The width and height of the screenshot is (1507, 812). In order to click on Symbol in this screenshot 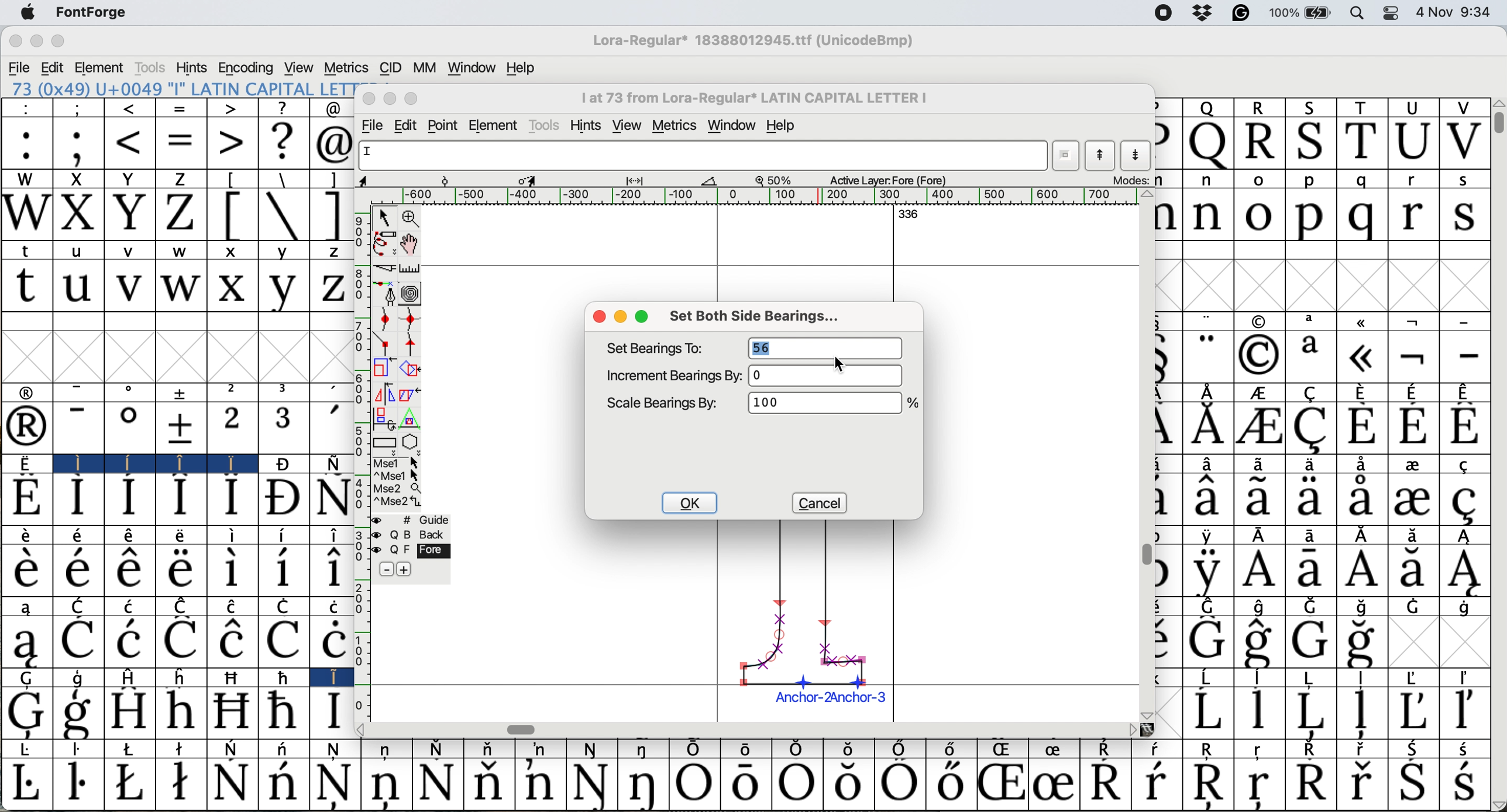, I will do `click(954, 749)`.